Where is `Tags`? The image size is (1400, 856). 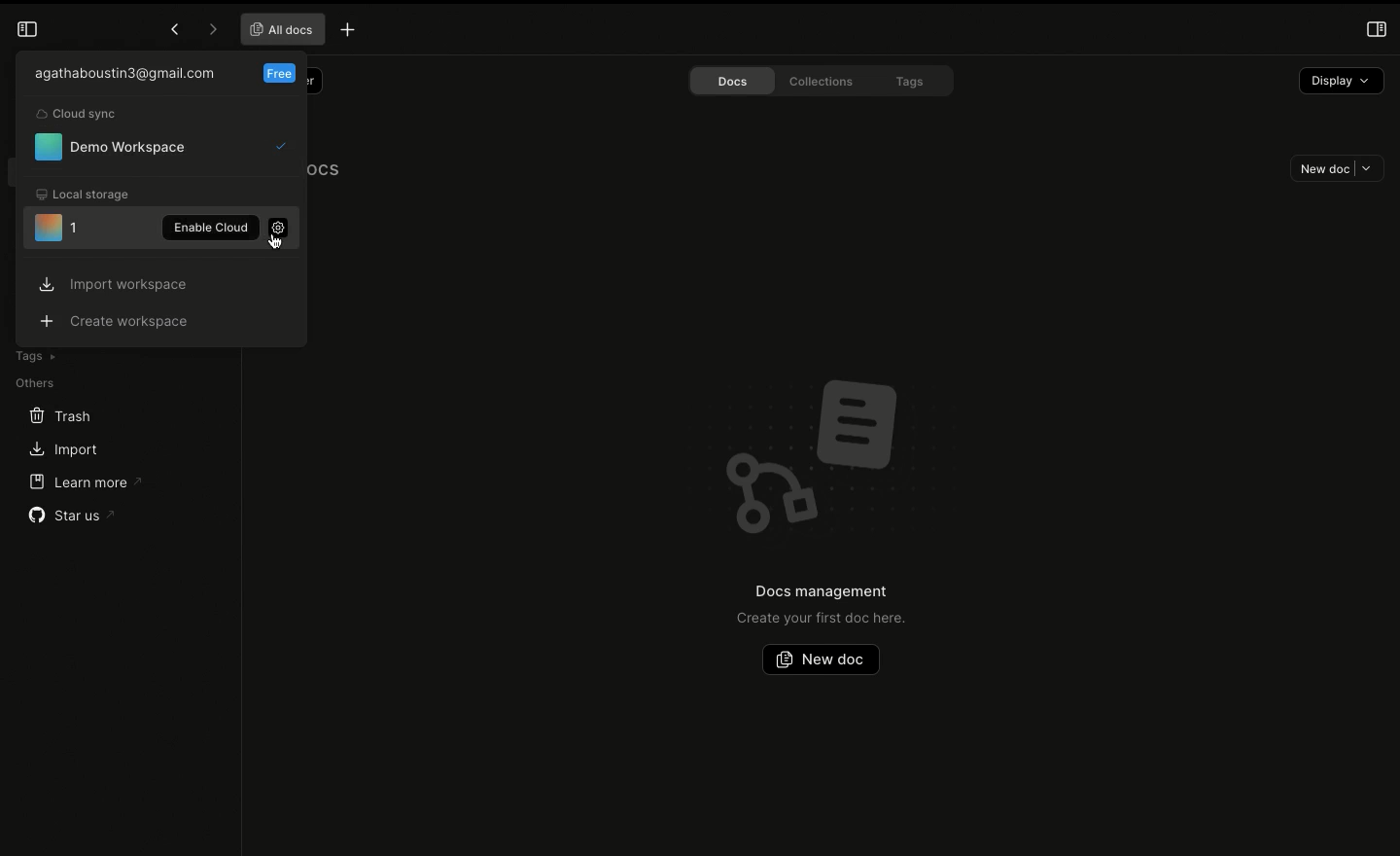
Tags is located at coordinates (920, 82).